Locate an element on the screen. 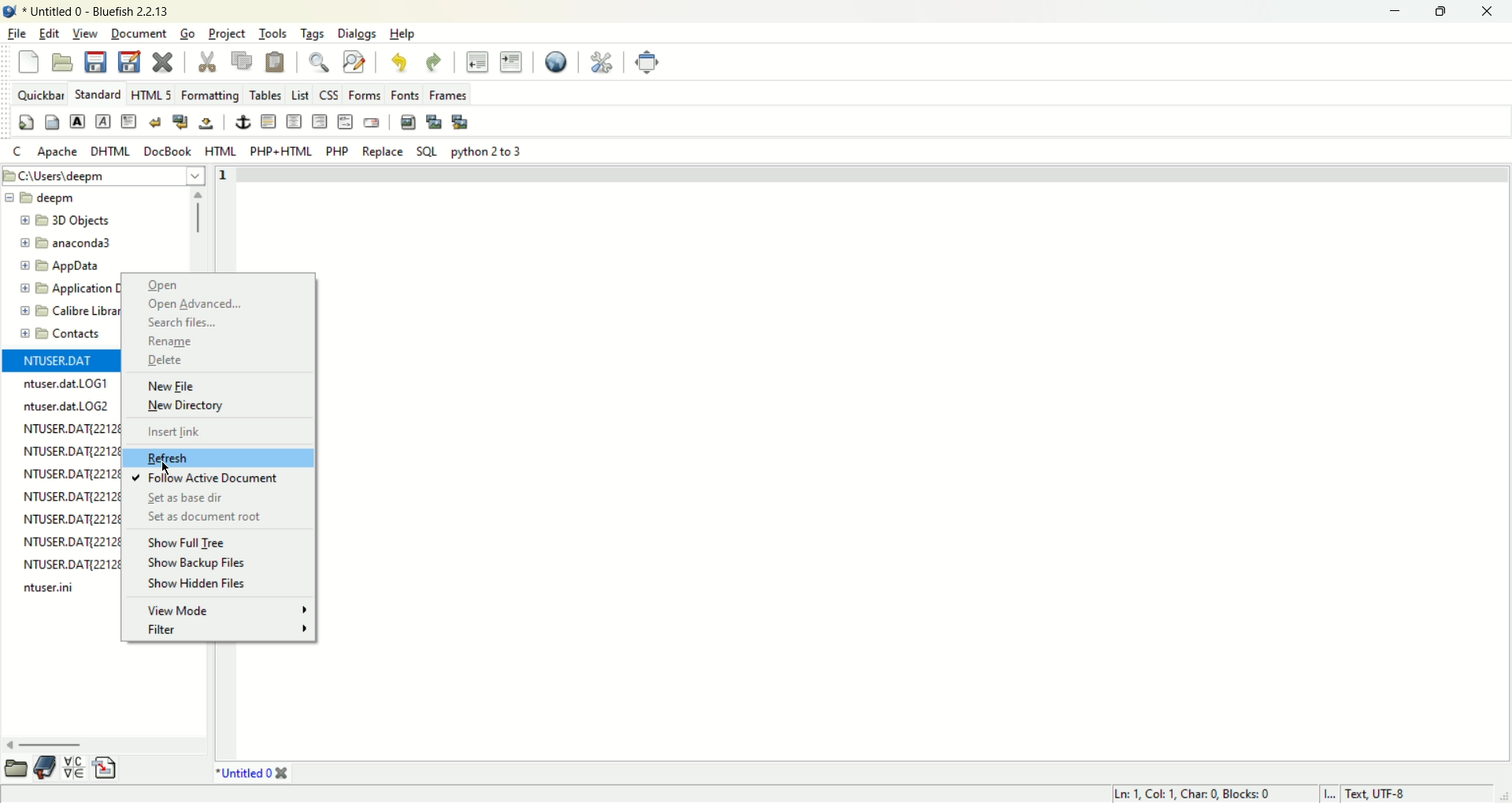 This screenshot has height=803, width=1512. DHTML is located at coordinates (111, 152).